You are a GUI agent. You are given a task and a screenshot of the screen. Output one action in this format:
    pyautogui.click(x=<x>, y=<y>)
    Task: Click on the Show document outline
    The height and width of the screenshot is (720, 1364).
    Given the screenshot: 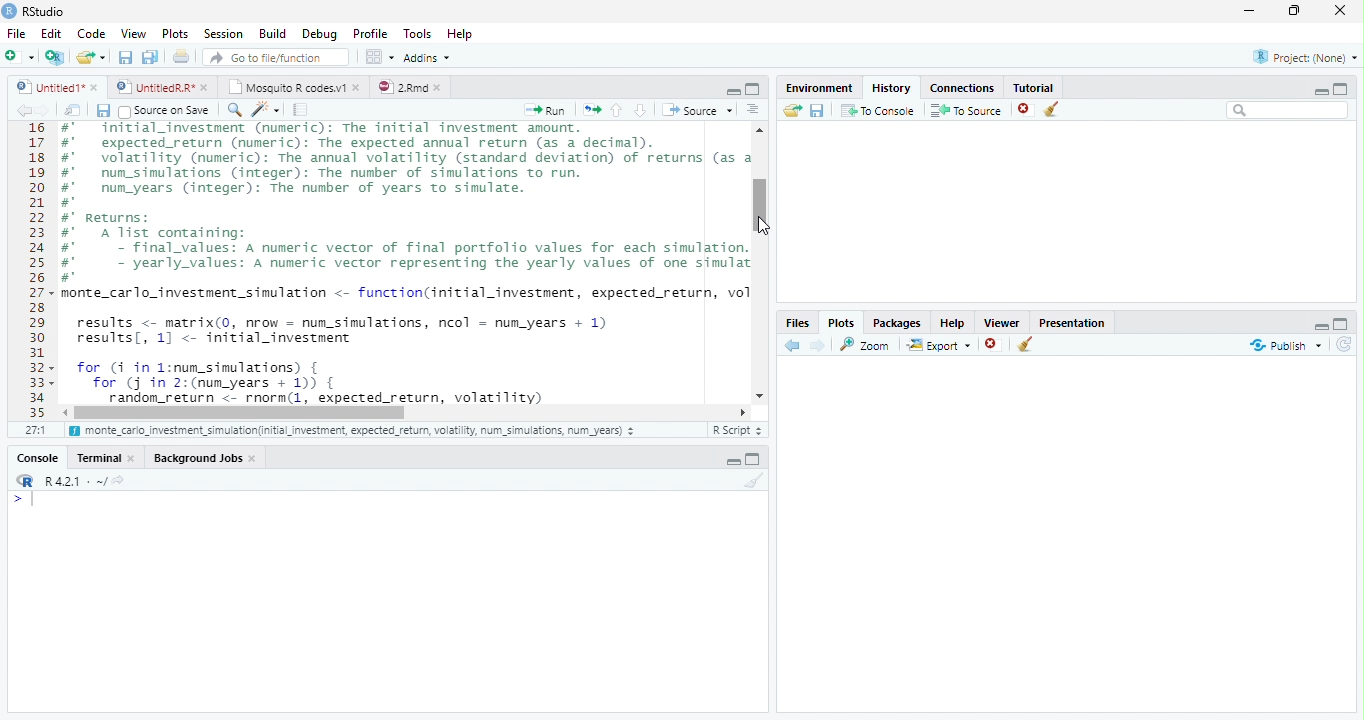 What is the action you would take?
    pyautogui.click(x=753, y=111)
    